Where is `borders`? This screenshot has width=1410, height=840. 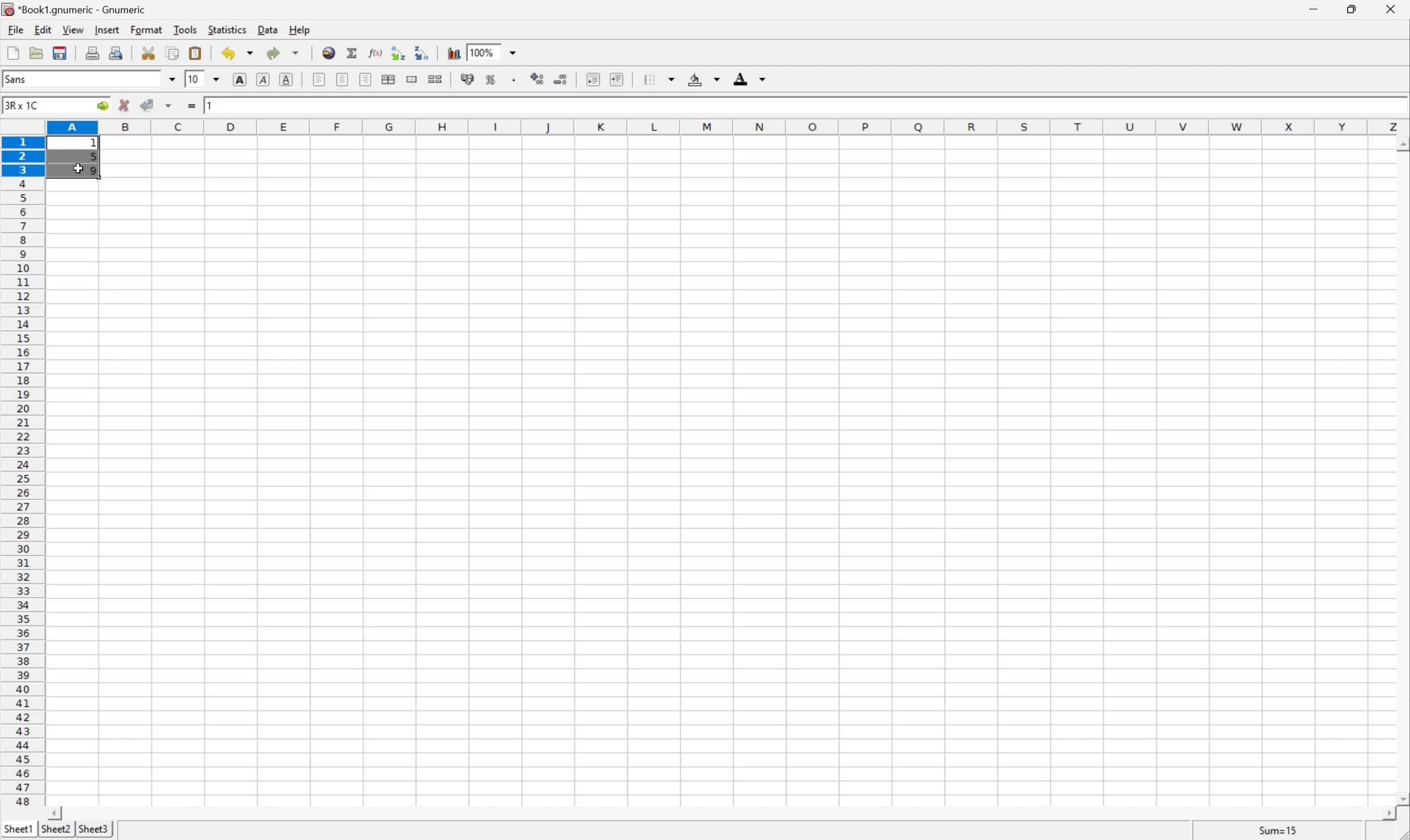
borders is located at coordinates (657, 79).